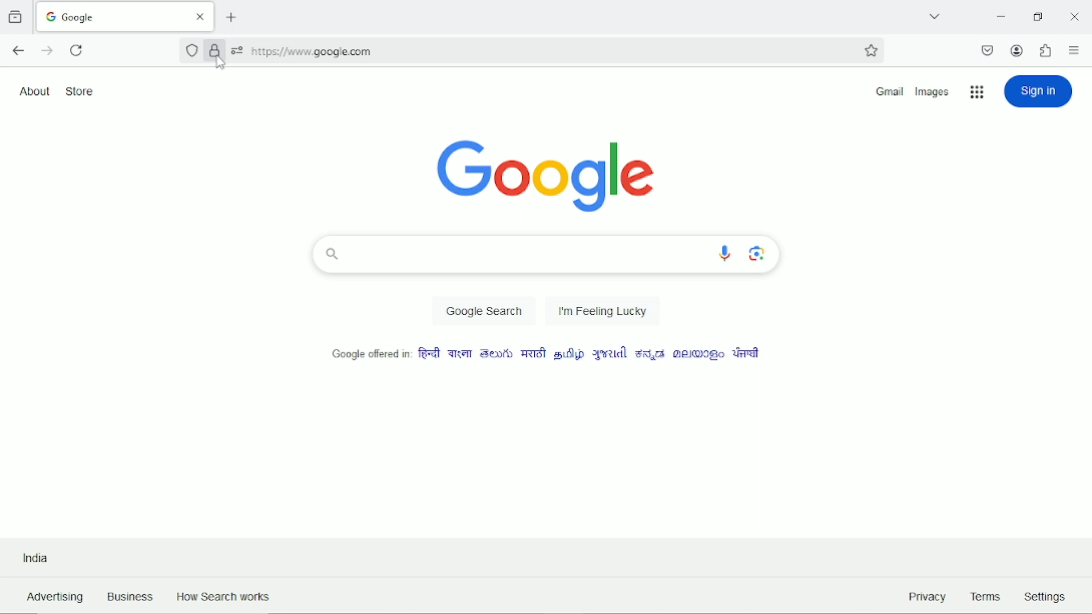  What do you see at coordinates (79, 49) in the screenshot?
I see `Reload current page` at bounding box center [79, 49].